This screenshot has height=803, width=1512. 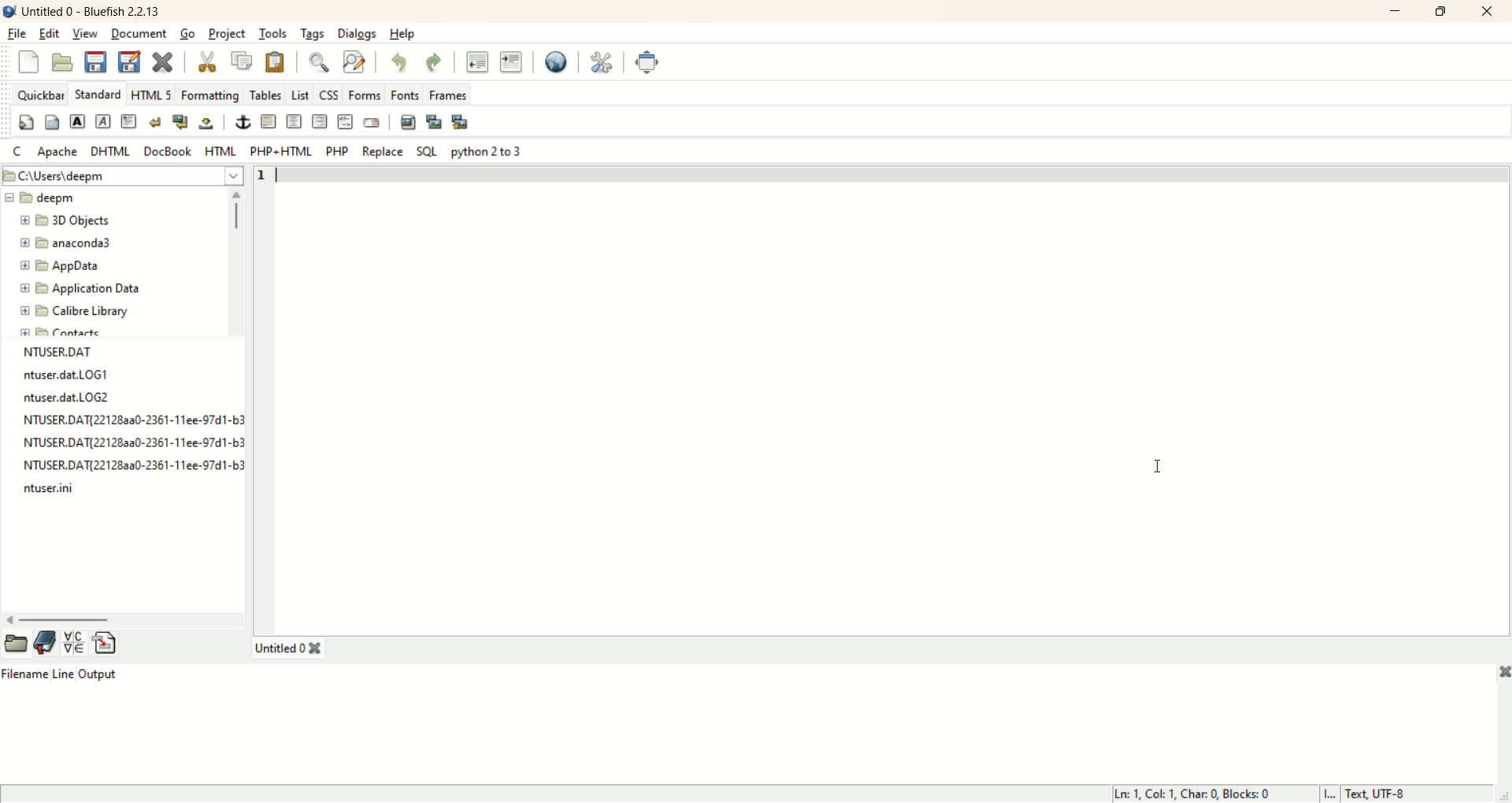 What do you see at coordinates (60, 151) in the screenshot?
I see `apache` at bounding box center [60, 151].